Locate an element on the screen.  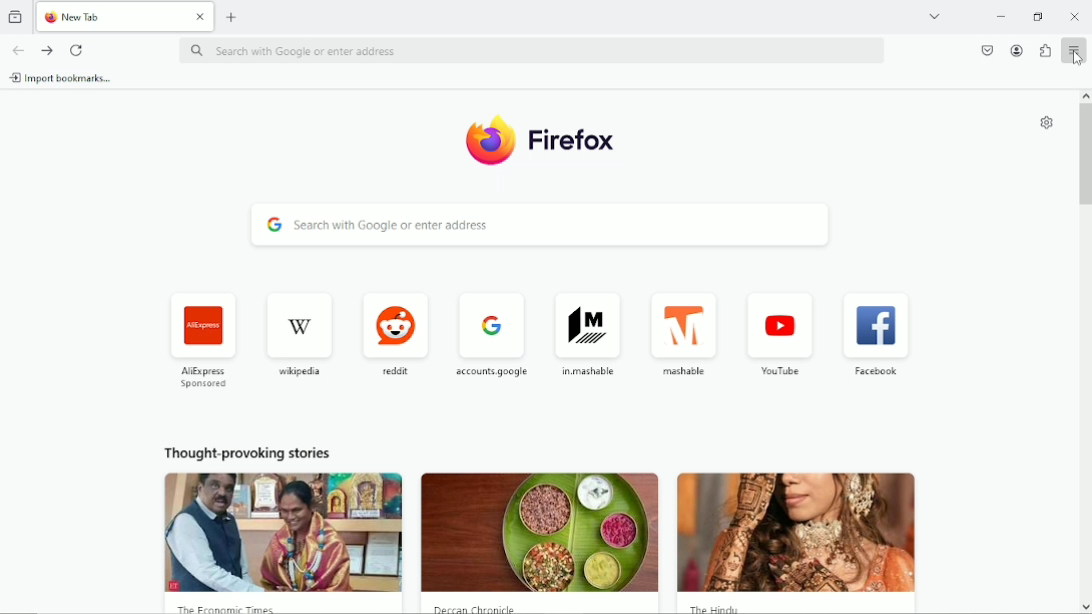
the economic times image is located at coordinates (281, 534).